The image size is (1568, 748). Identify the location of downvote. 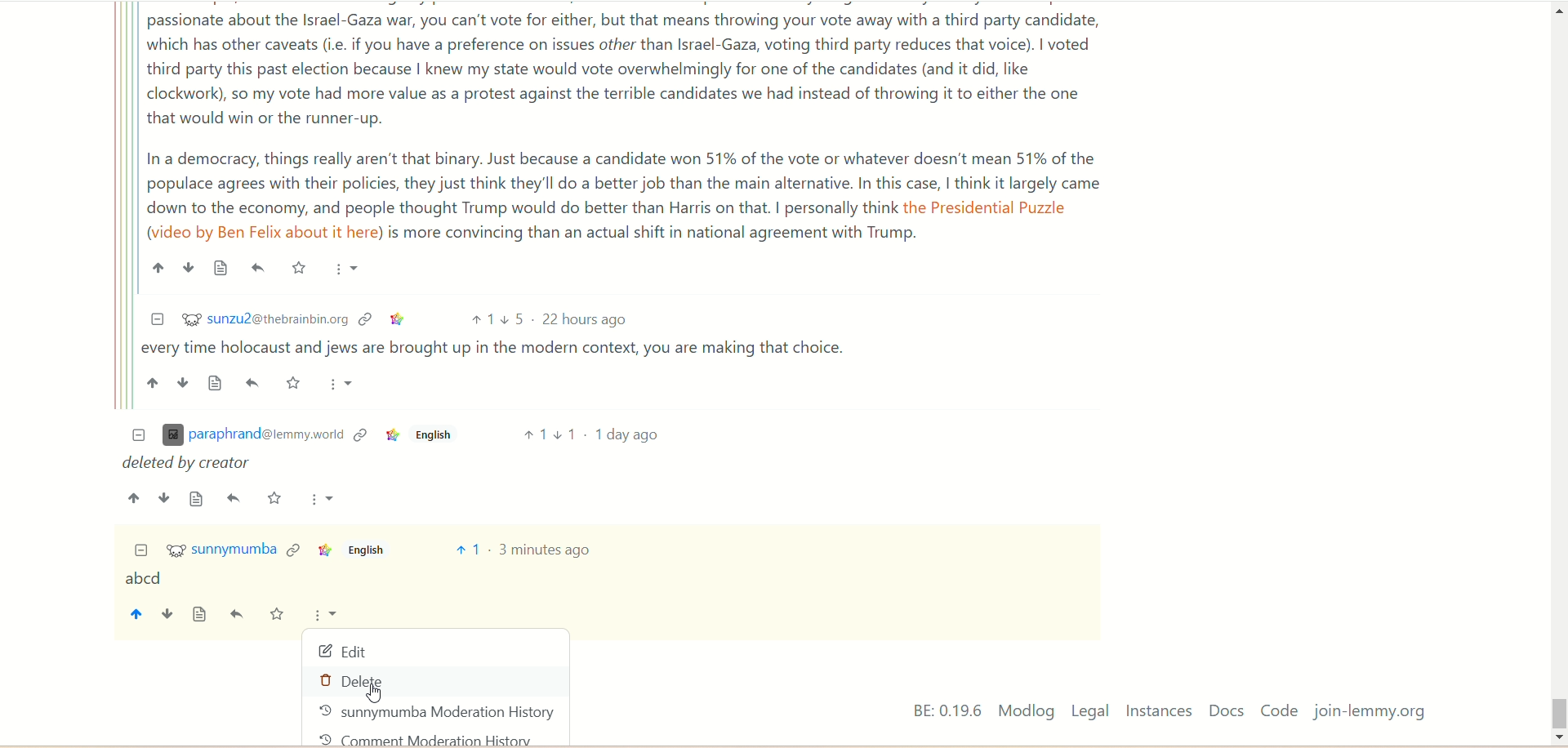
(166, 616).